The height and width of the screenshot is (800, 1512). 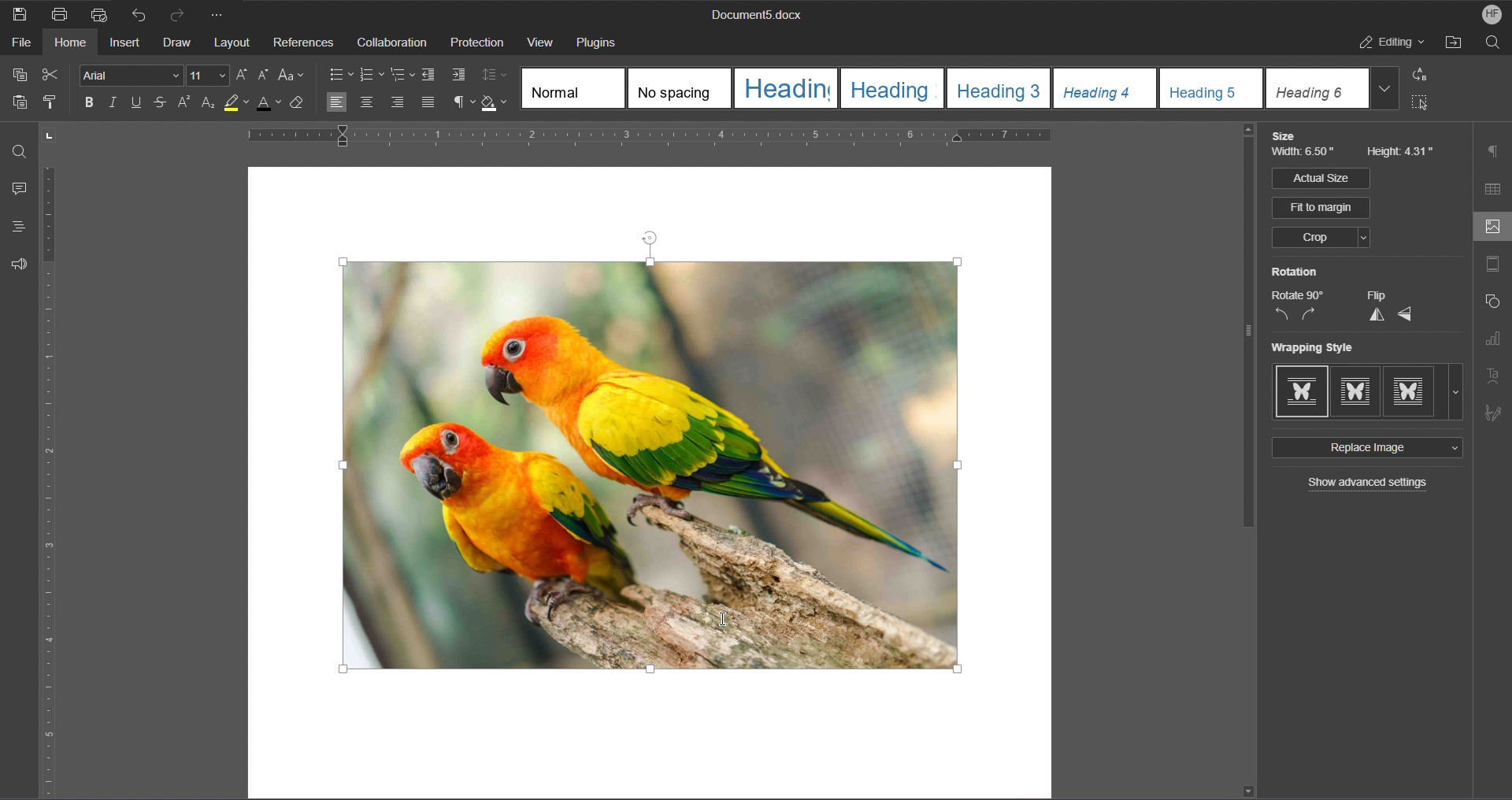 I want to click on Table Settings, so click(x=1493, y=189).